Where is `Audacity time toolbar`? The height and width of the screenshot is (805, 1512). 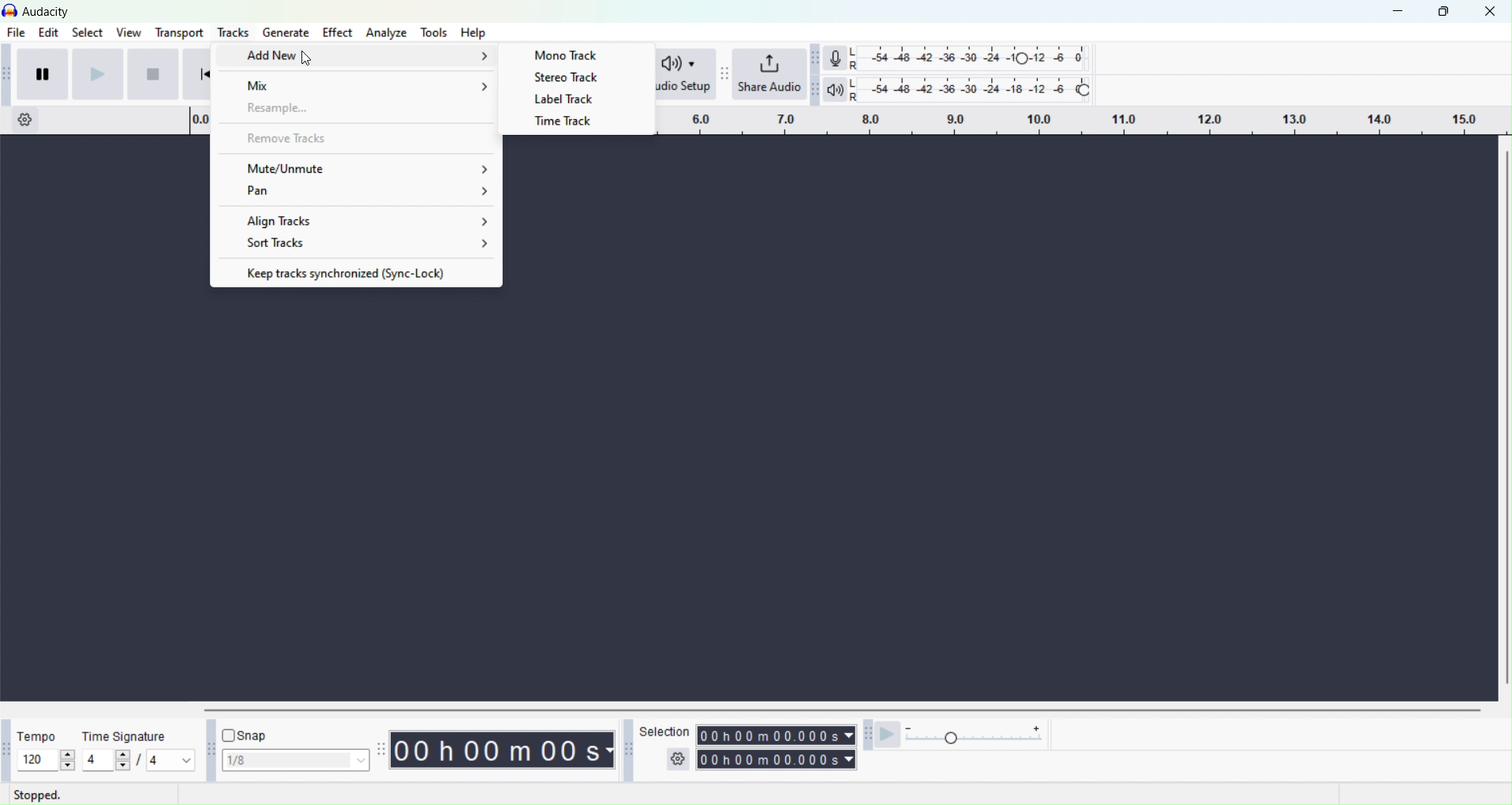
Audacity time toolbar is located at coordinates (380, 750).